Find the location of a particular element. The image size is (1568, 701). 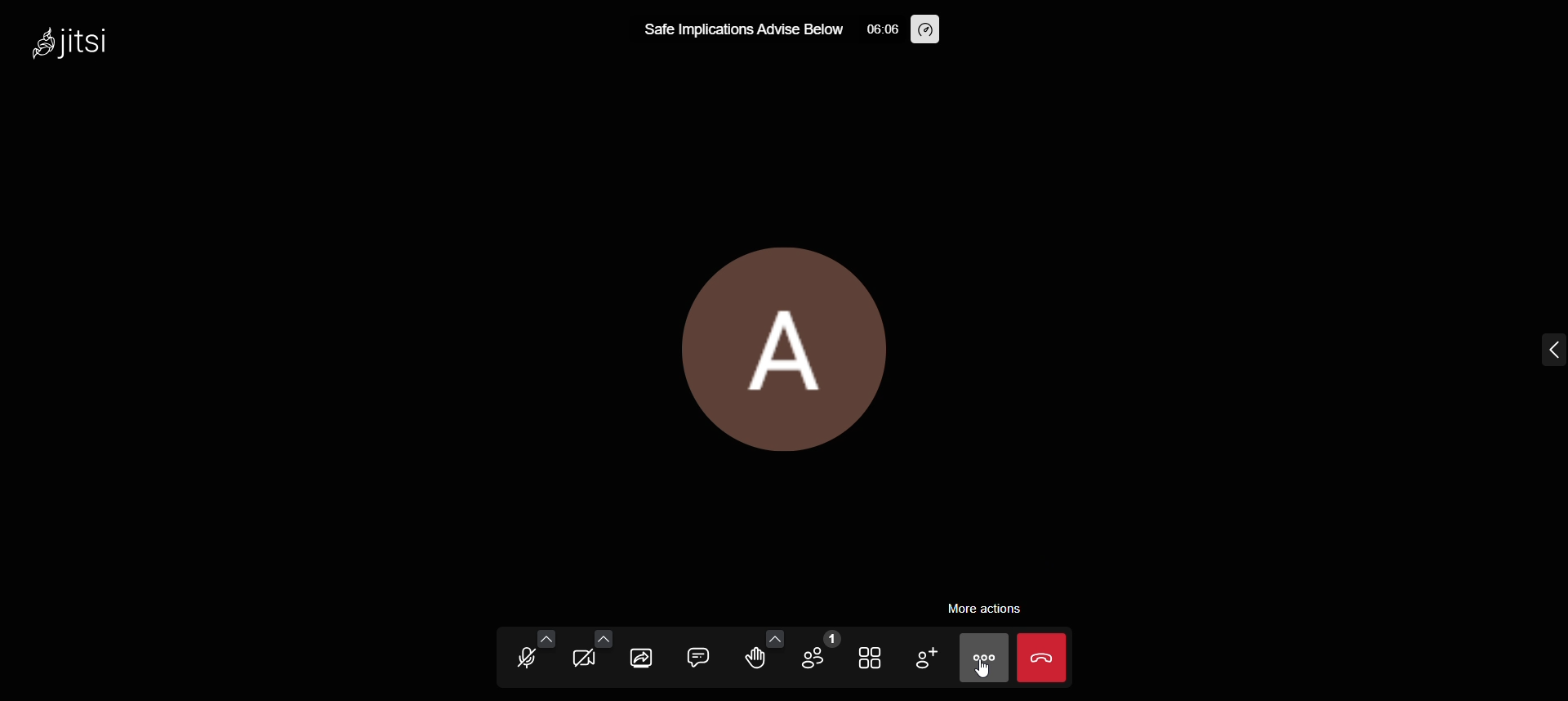

start camera is located at coordinates (586, 659).